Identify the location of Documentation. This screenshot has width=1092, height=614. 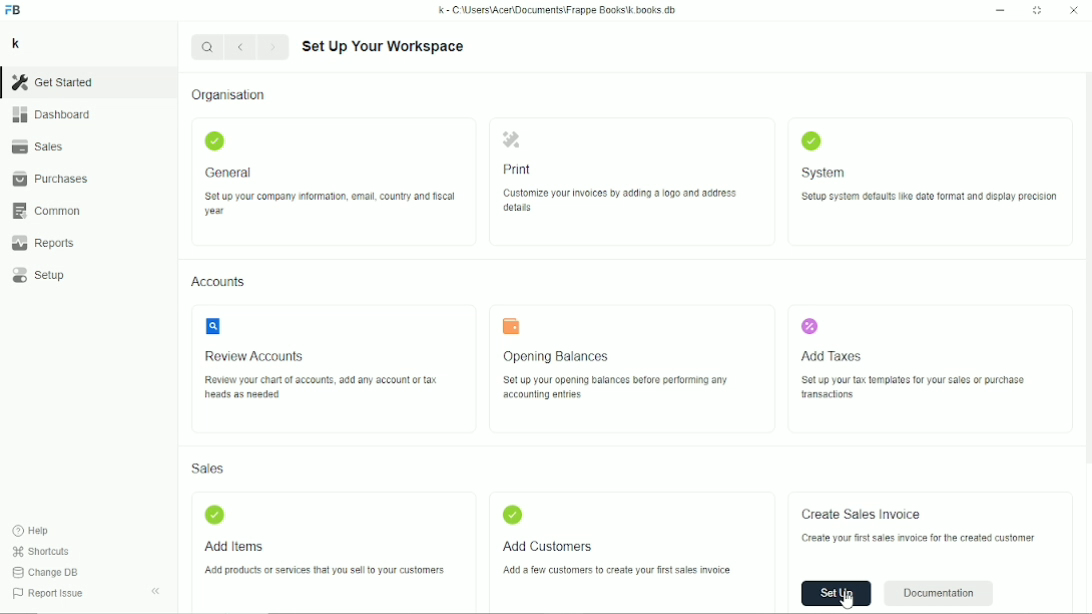
(937, 593).